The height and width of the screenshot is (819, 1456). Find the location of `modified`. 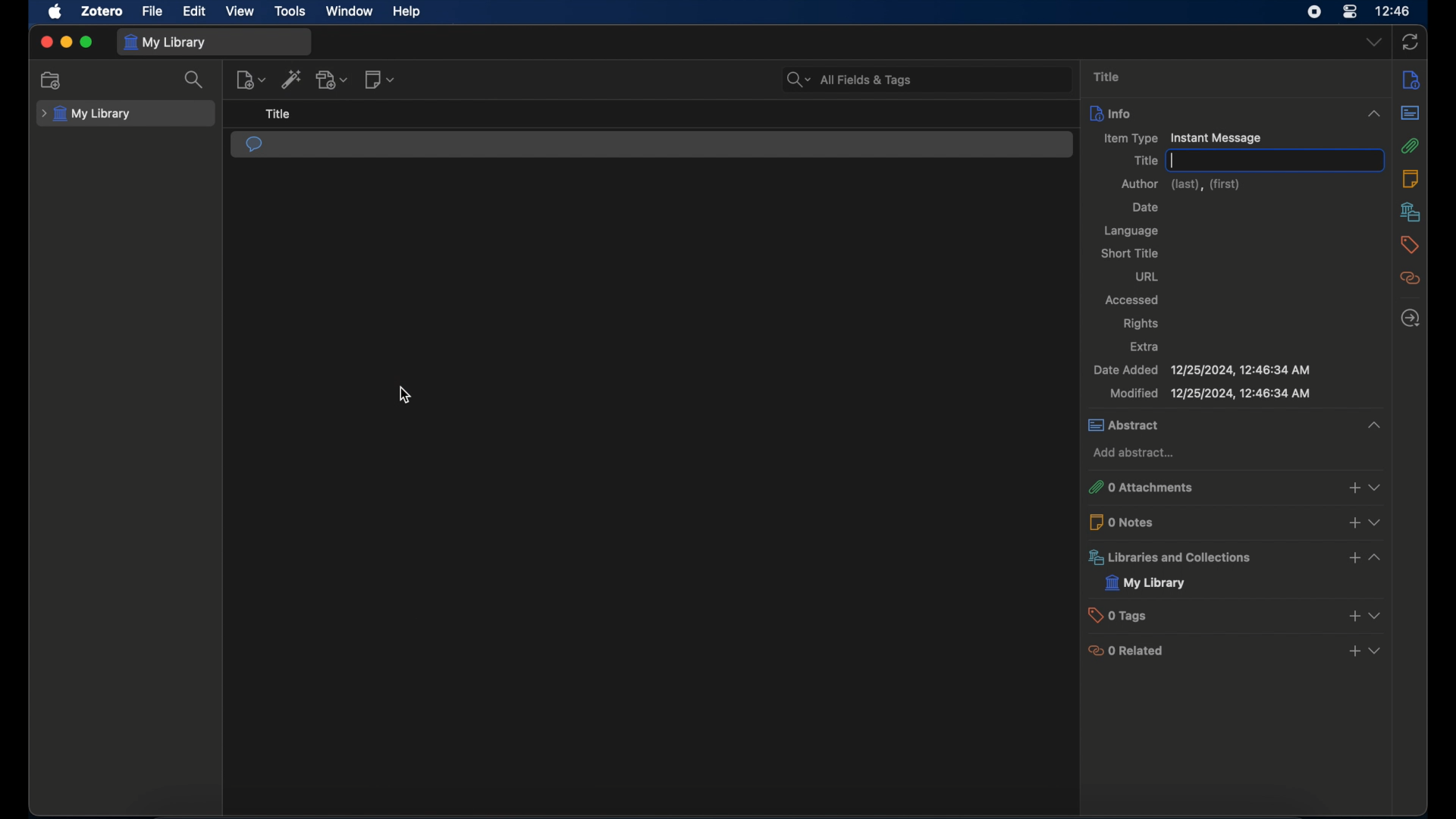

modified is located at coordinates (1210, 394).